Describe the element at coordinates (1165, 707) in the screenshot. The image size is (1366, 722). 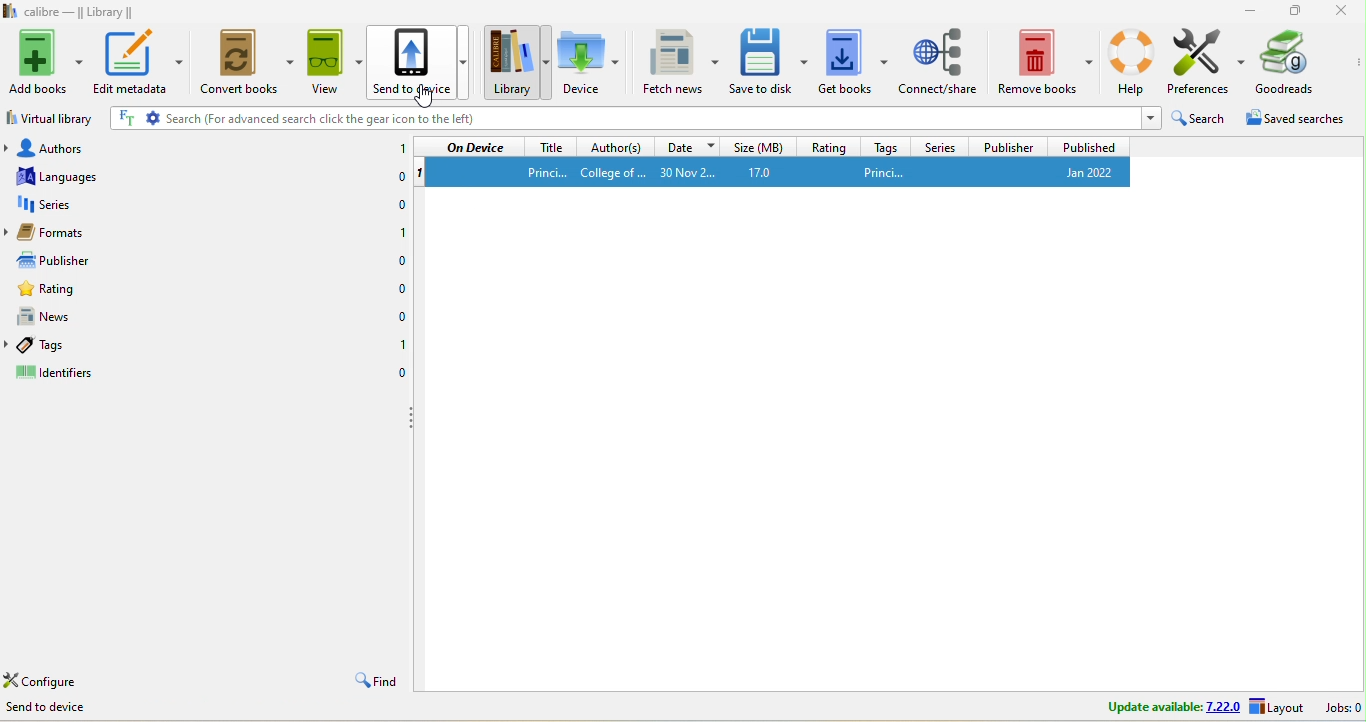
I see `update available` at that location.